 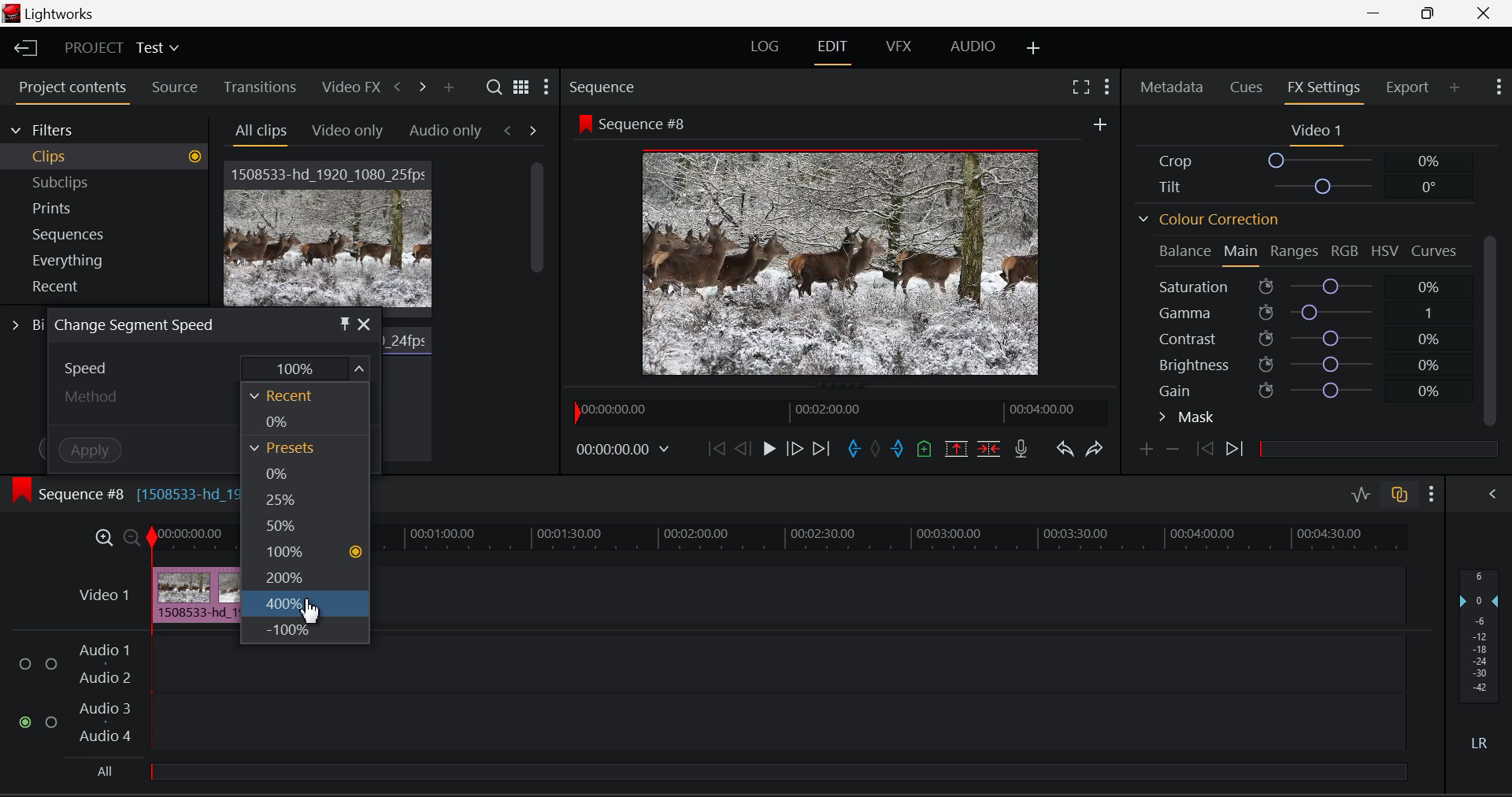 What do you see at coordinates (107, 678) in the screenshot?
I see `Audio 2` at bounding box center [107, 678].